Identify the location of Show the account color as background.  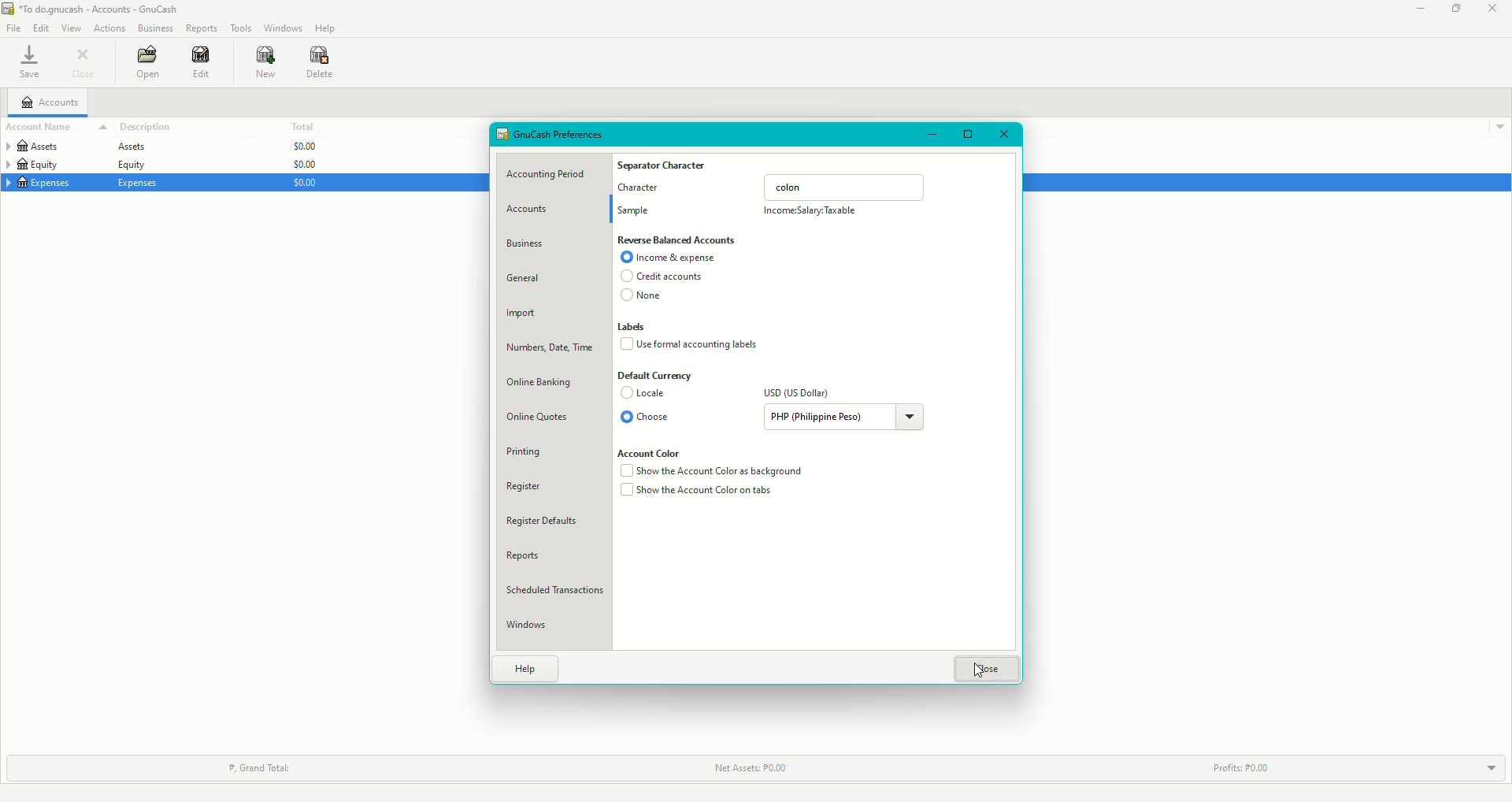
(713, 473).